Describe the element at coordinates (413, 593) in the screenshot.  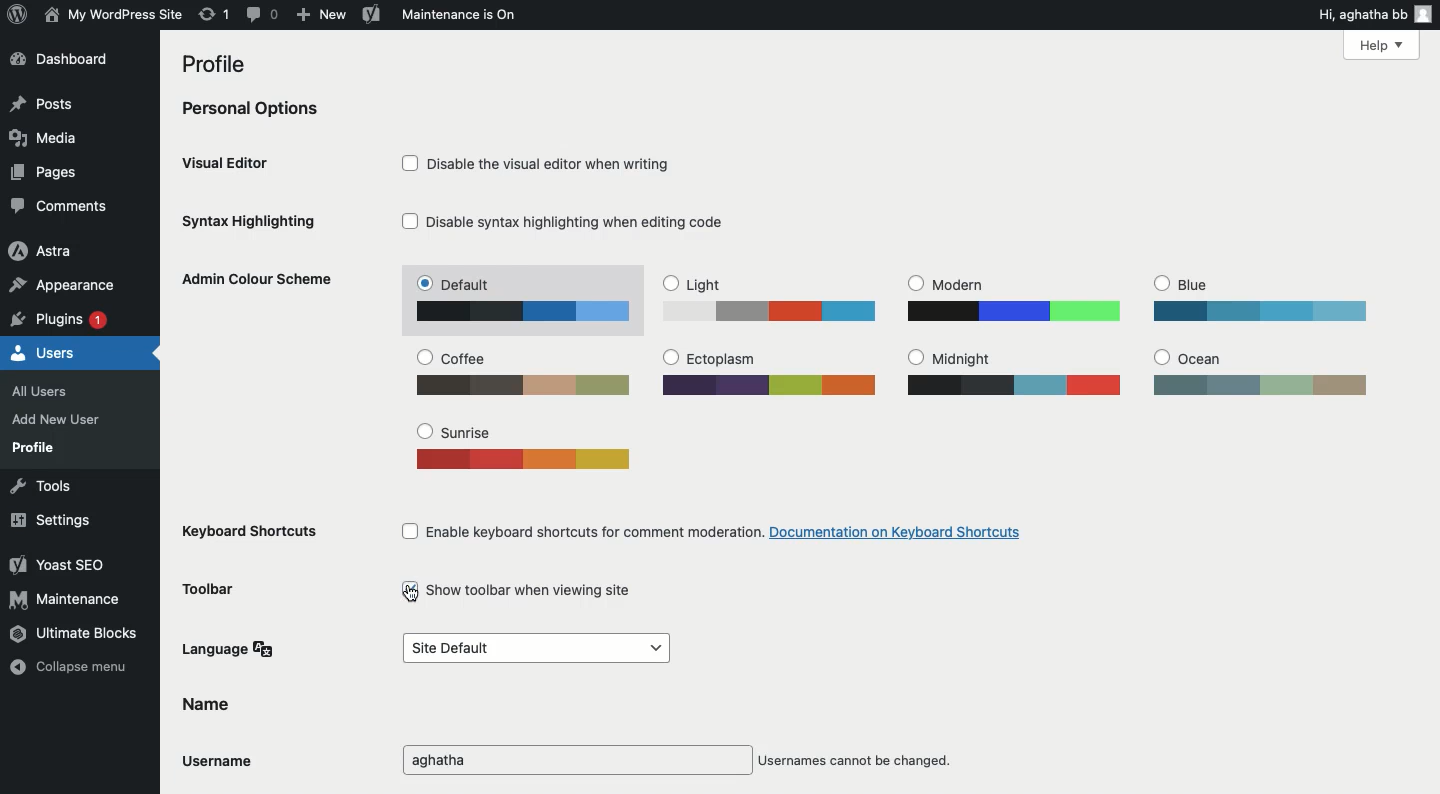
I see `cursor` at that location.